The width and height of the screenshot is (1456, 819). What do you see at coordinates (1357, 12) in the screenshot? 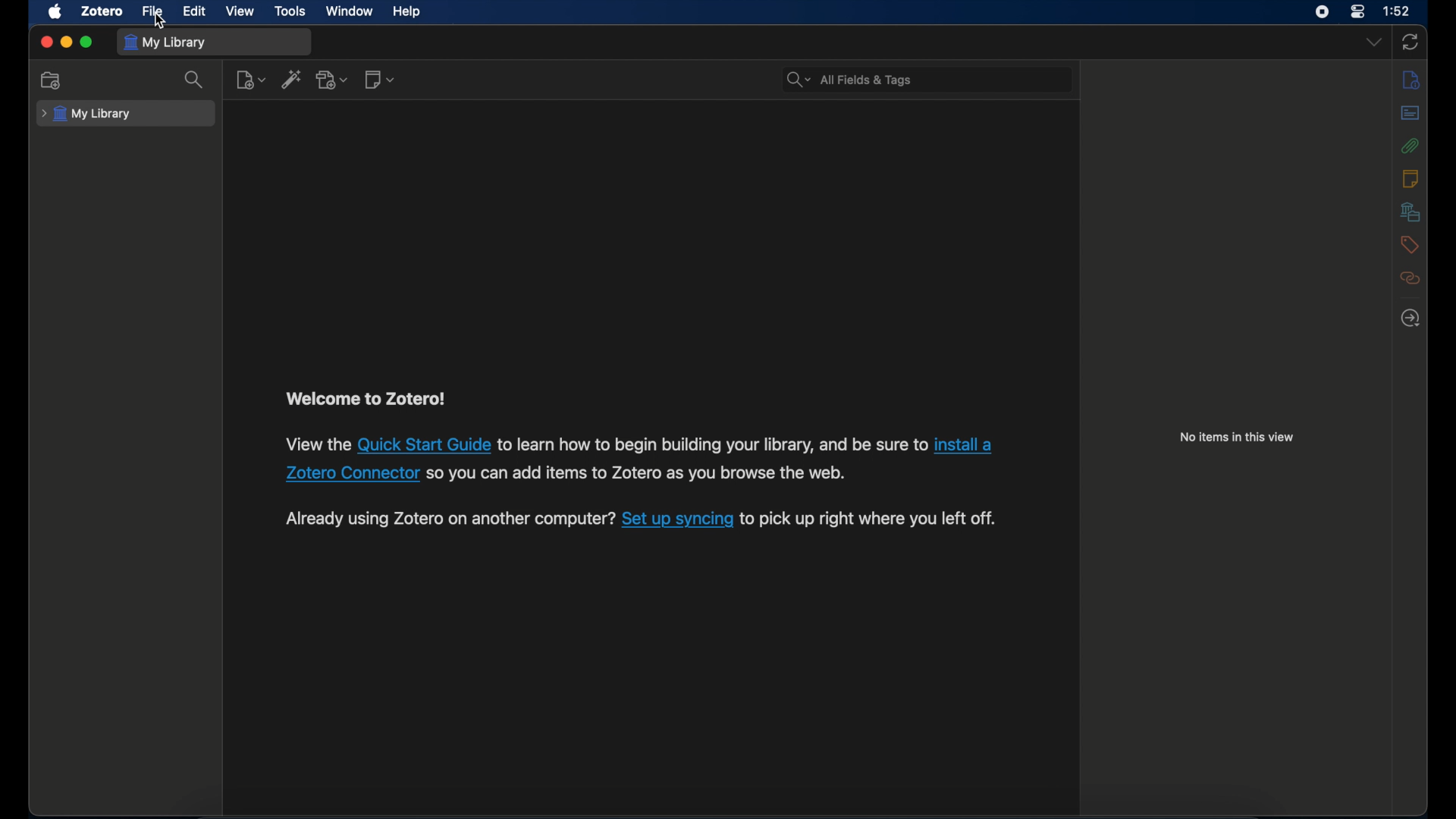
I see `control center` at bounding box center [1357, 12].